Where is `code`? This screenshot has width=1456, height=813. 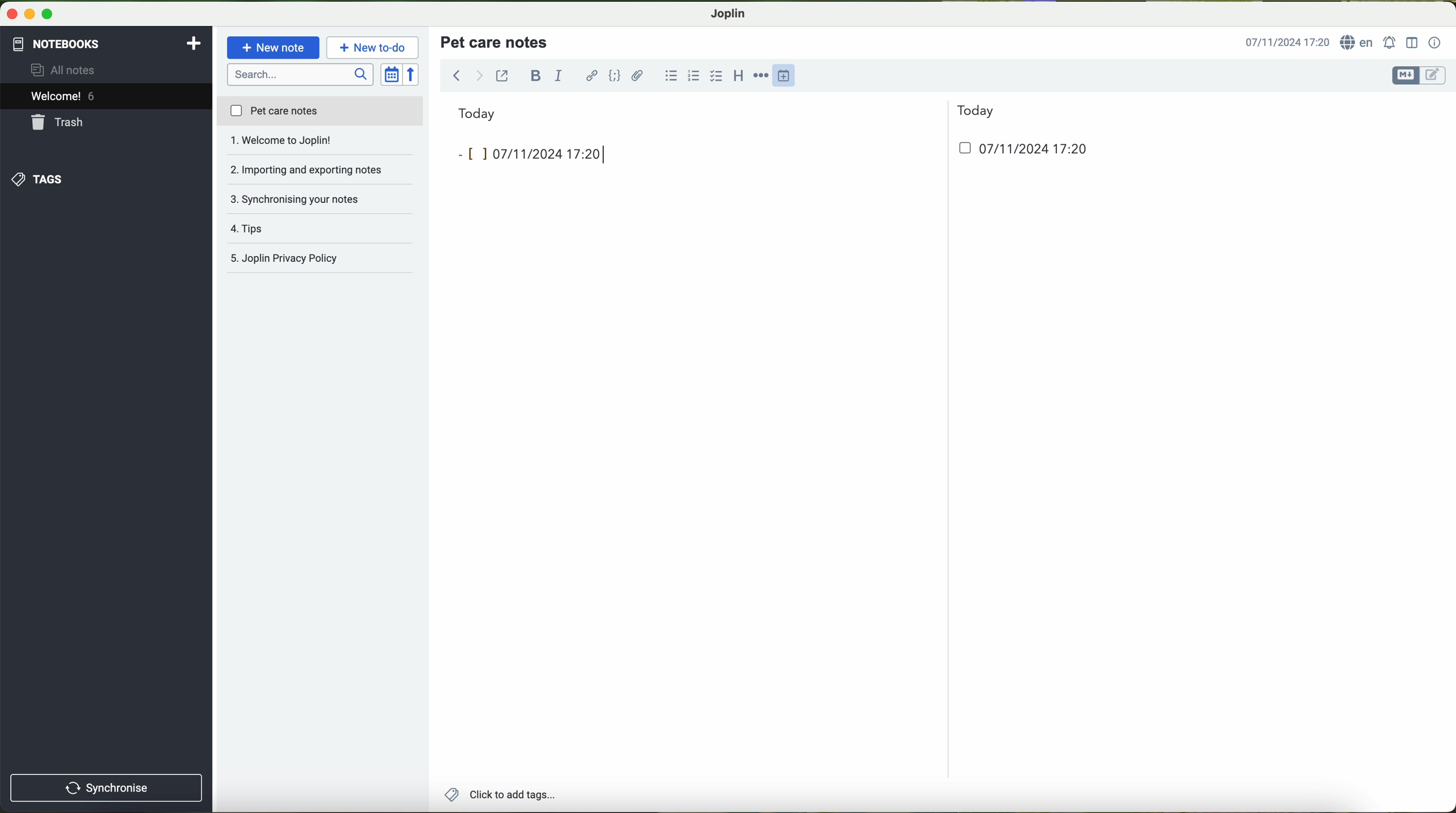
code is located at coordinates (614, 75).